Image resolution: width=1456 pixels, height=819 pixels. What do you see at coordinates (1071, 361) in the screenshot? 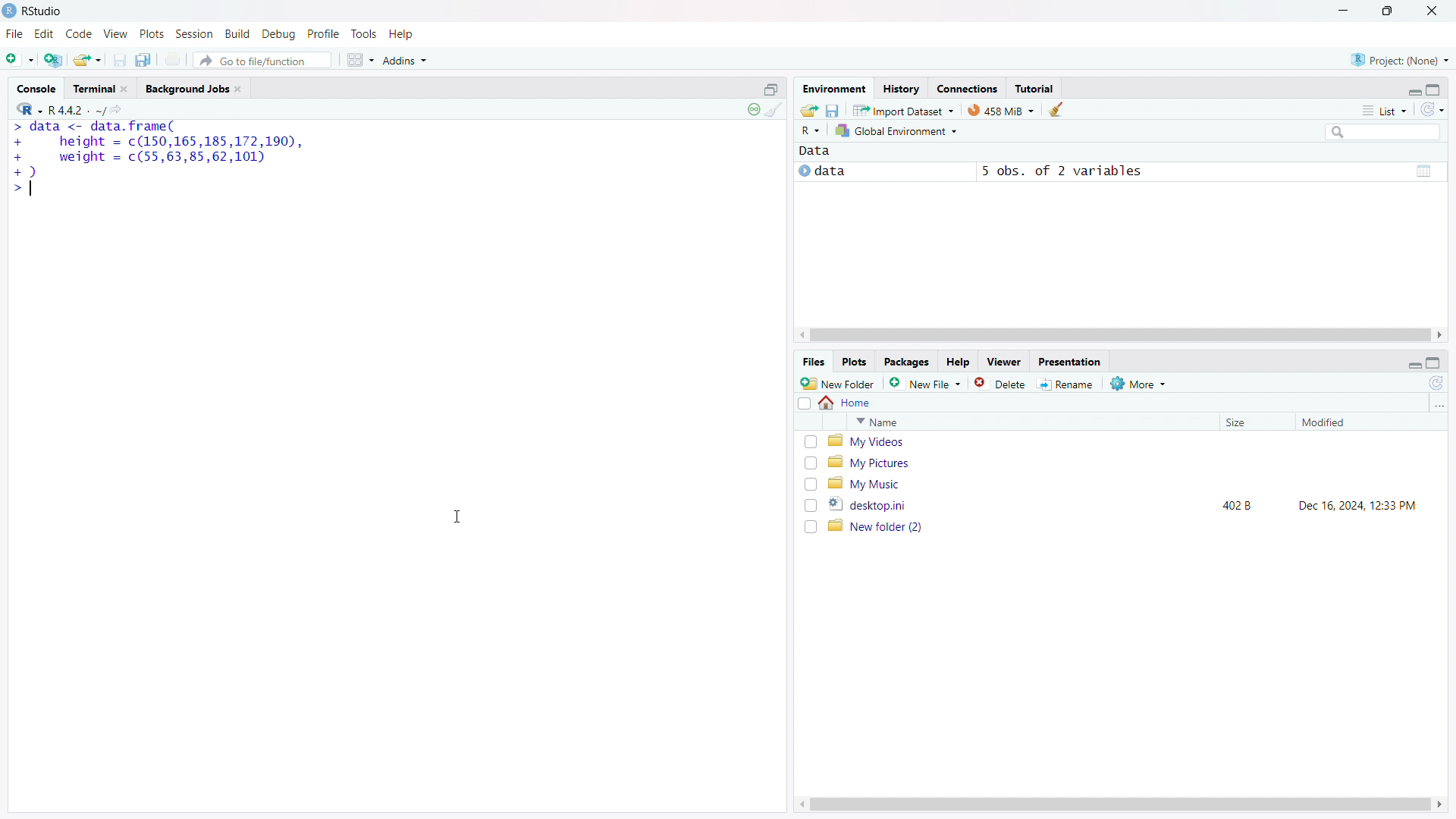
I see `presentation` at bounding box center [1071, 361].